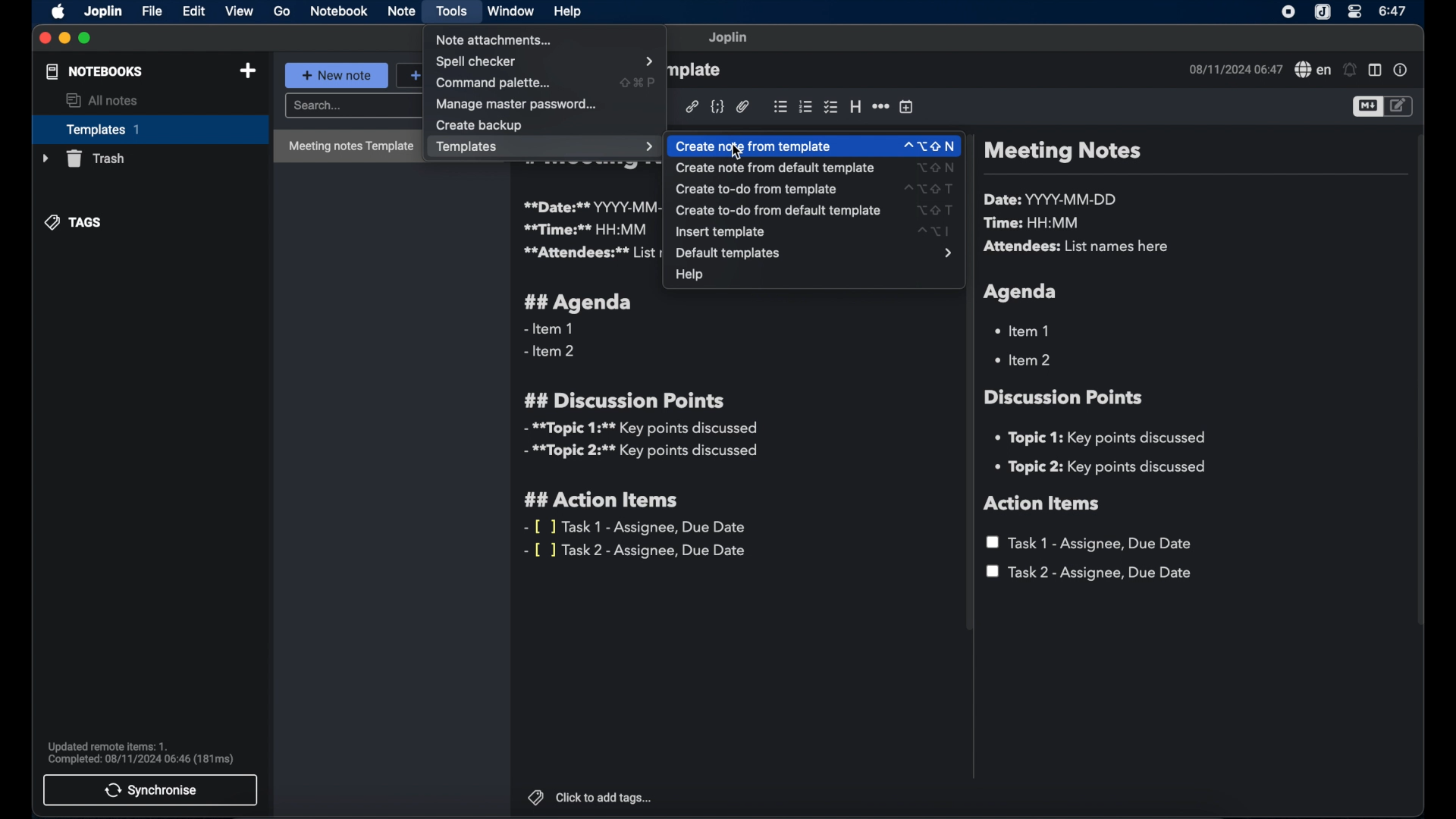  What do you see at coordinates (1322, 12) in the screenshot?
I see `Joplin` at bounding box center [1322, 12].